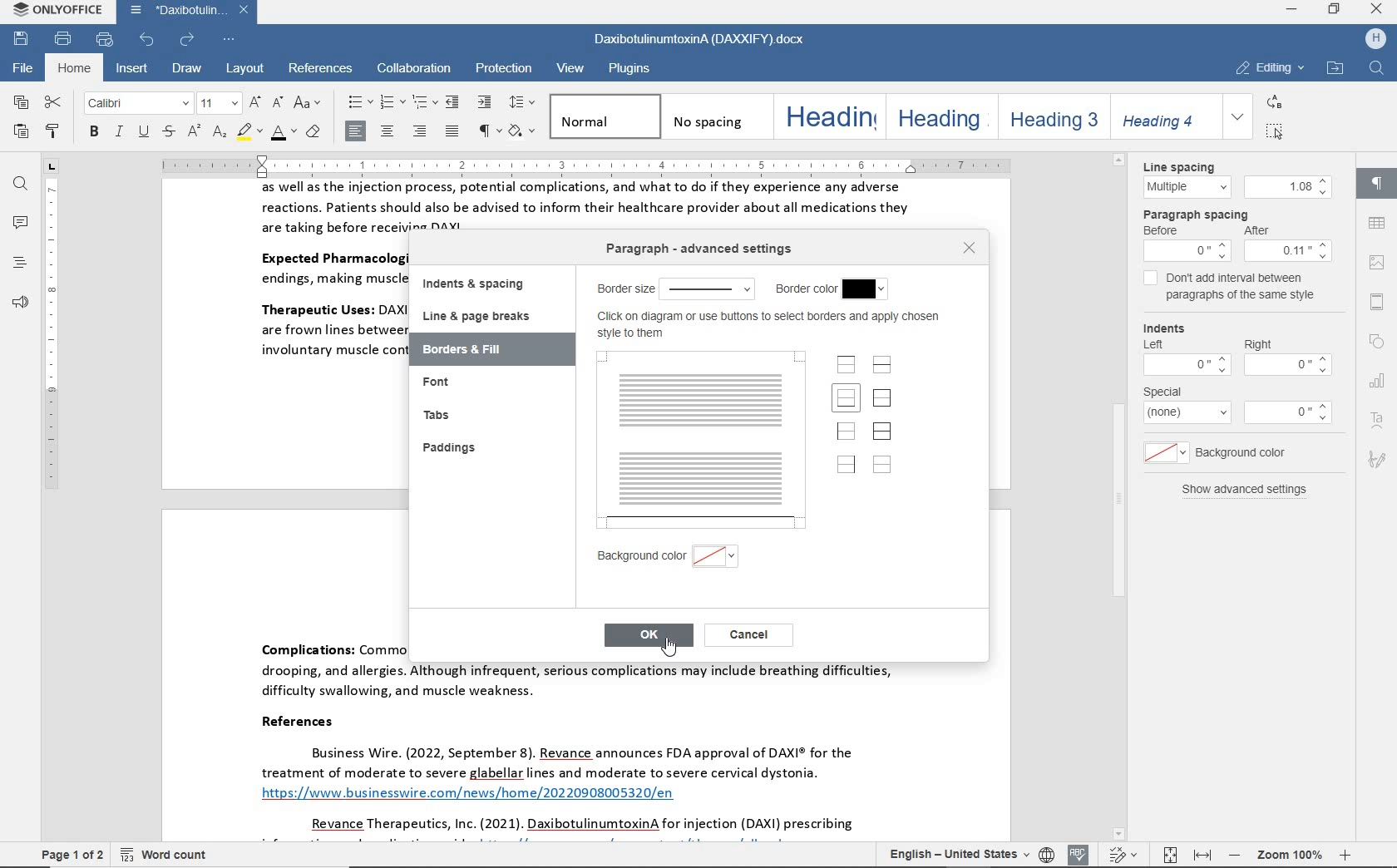 This screenshot has width=1397, height=868. What do you see at coordinates (572, 70) in the screenshot?
I see `view` at bounding box center [572, 70].